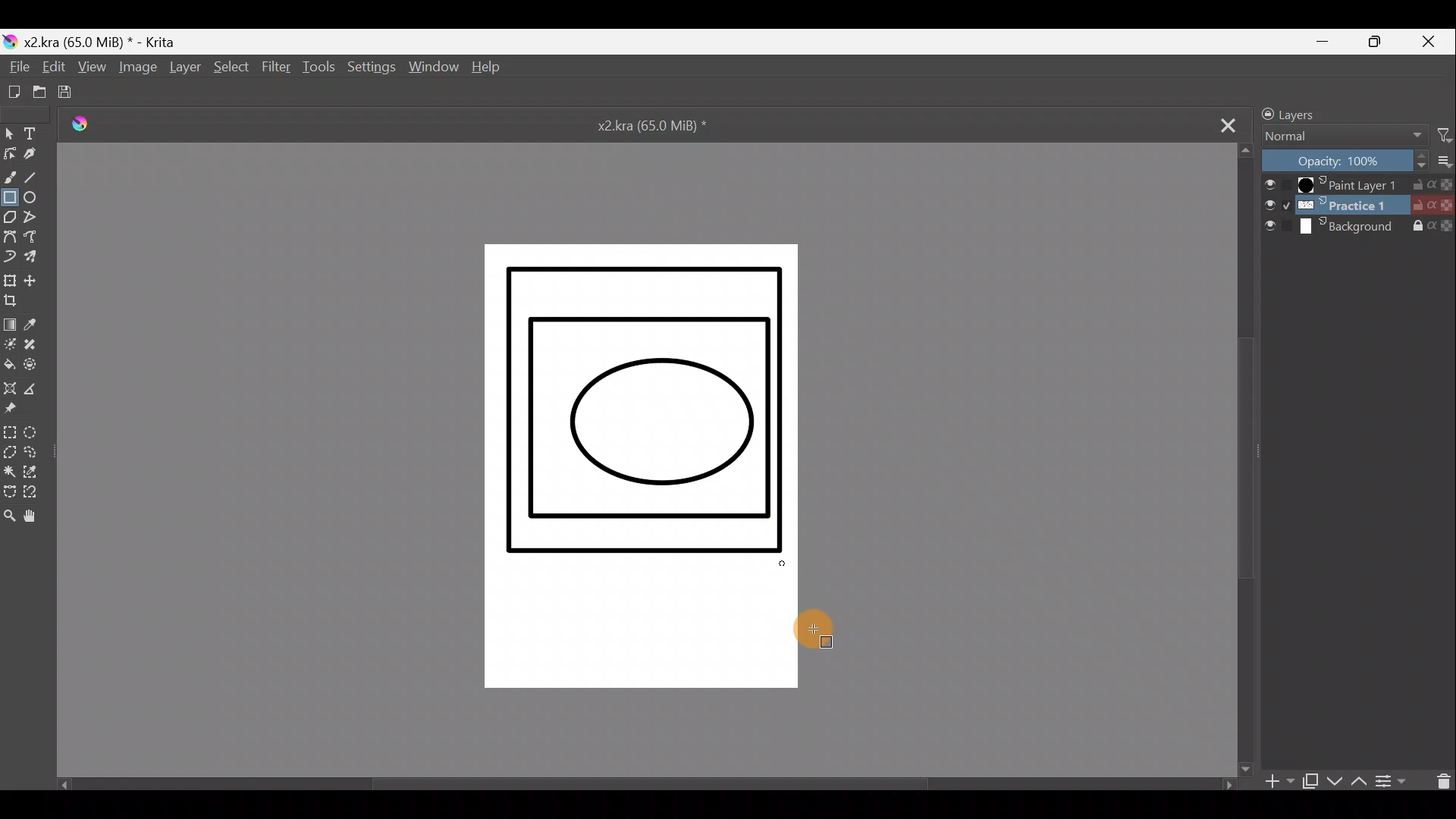 Image resolution: width=1456 pixels, height=819 pixels. What do you see at coordinates (1246, 457) in the screenshot?
I see `Scroll bar` at bounding box center [1246, 457].